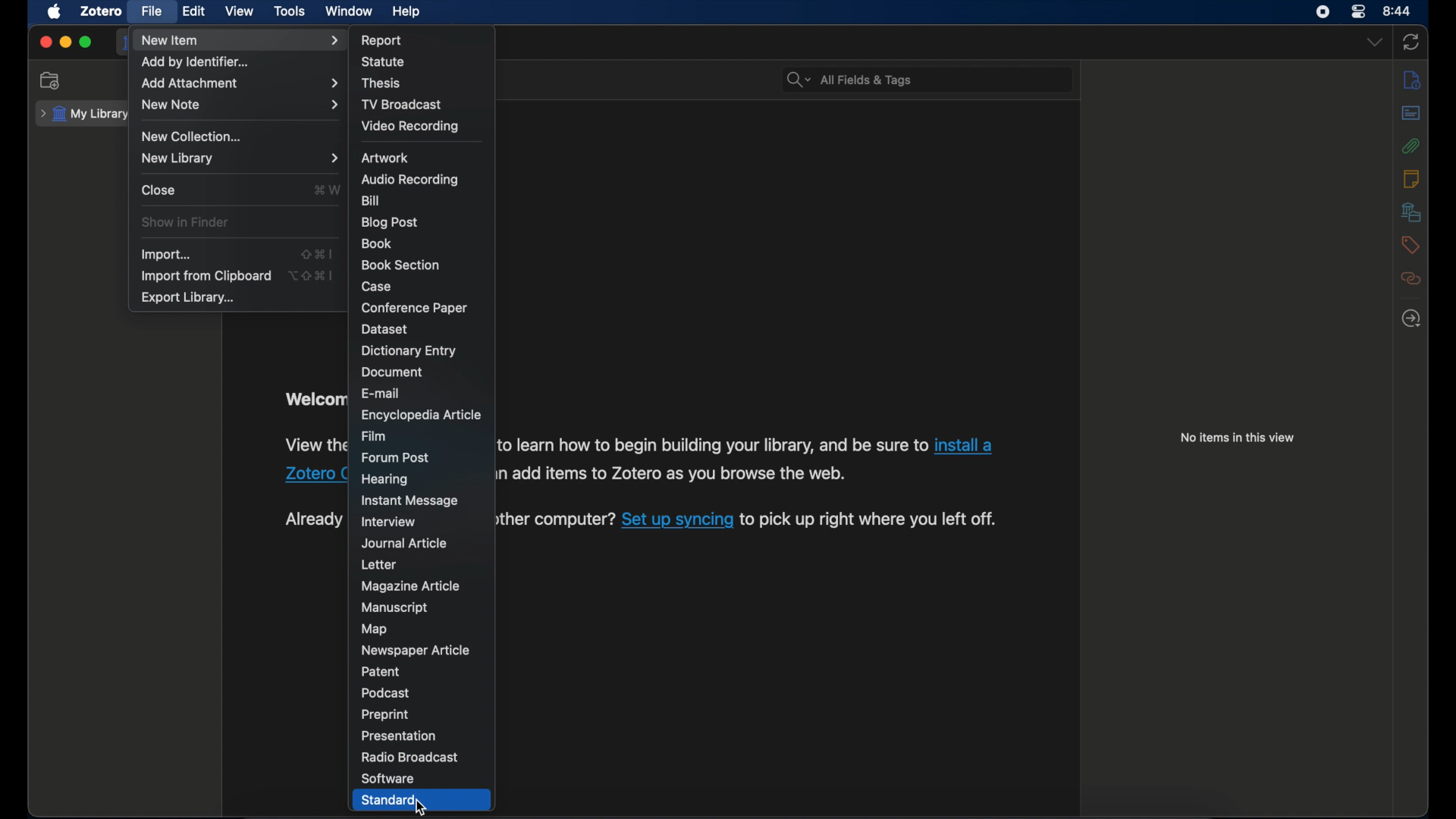  Describe the element at coordinates (52, 81) in the screenshot. I see `new collection` at that location.